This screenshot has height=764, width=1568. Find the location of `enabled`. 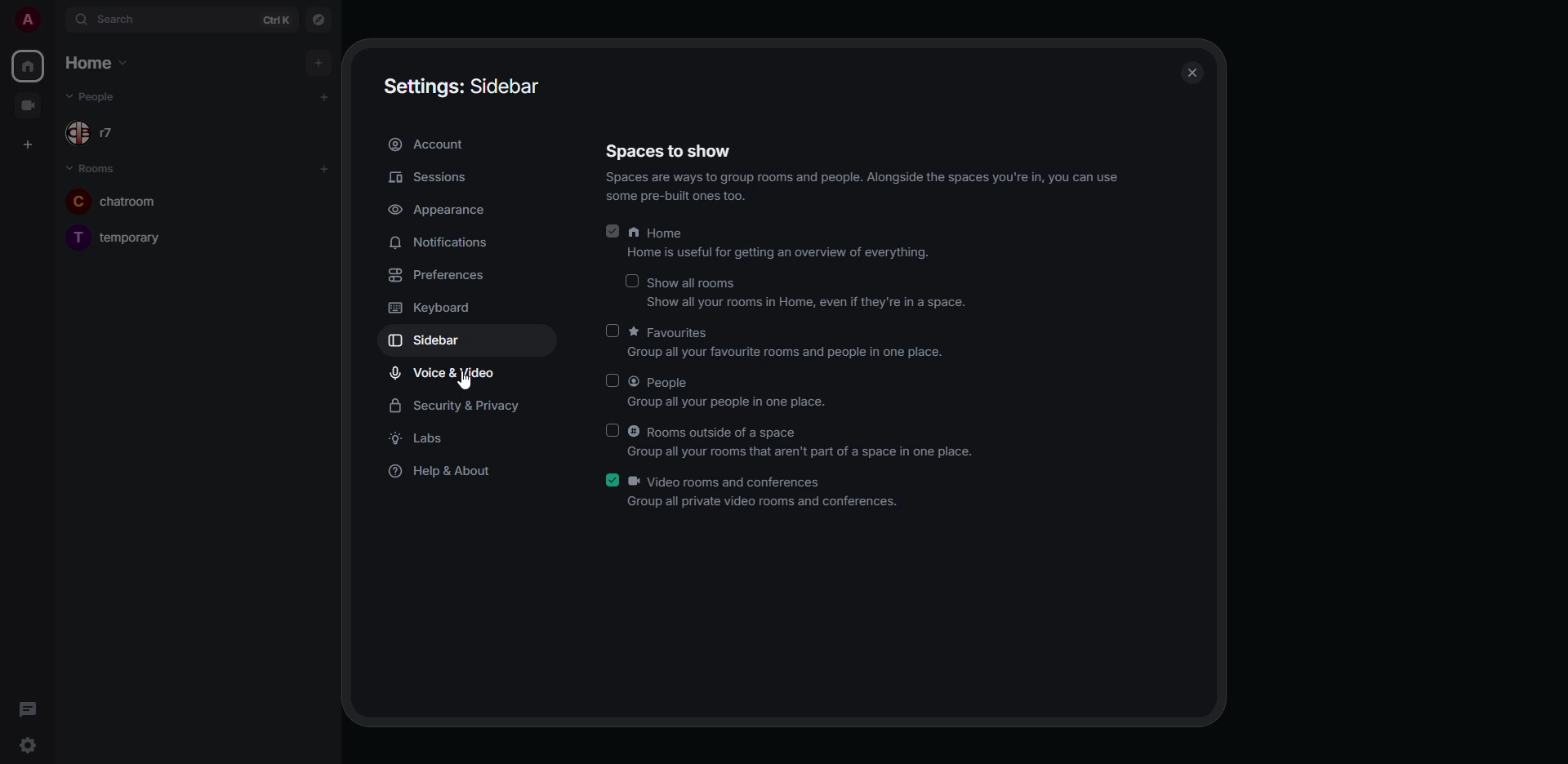

enabled is located at coordinates (613, 229).